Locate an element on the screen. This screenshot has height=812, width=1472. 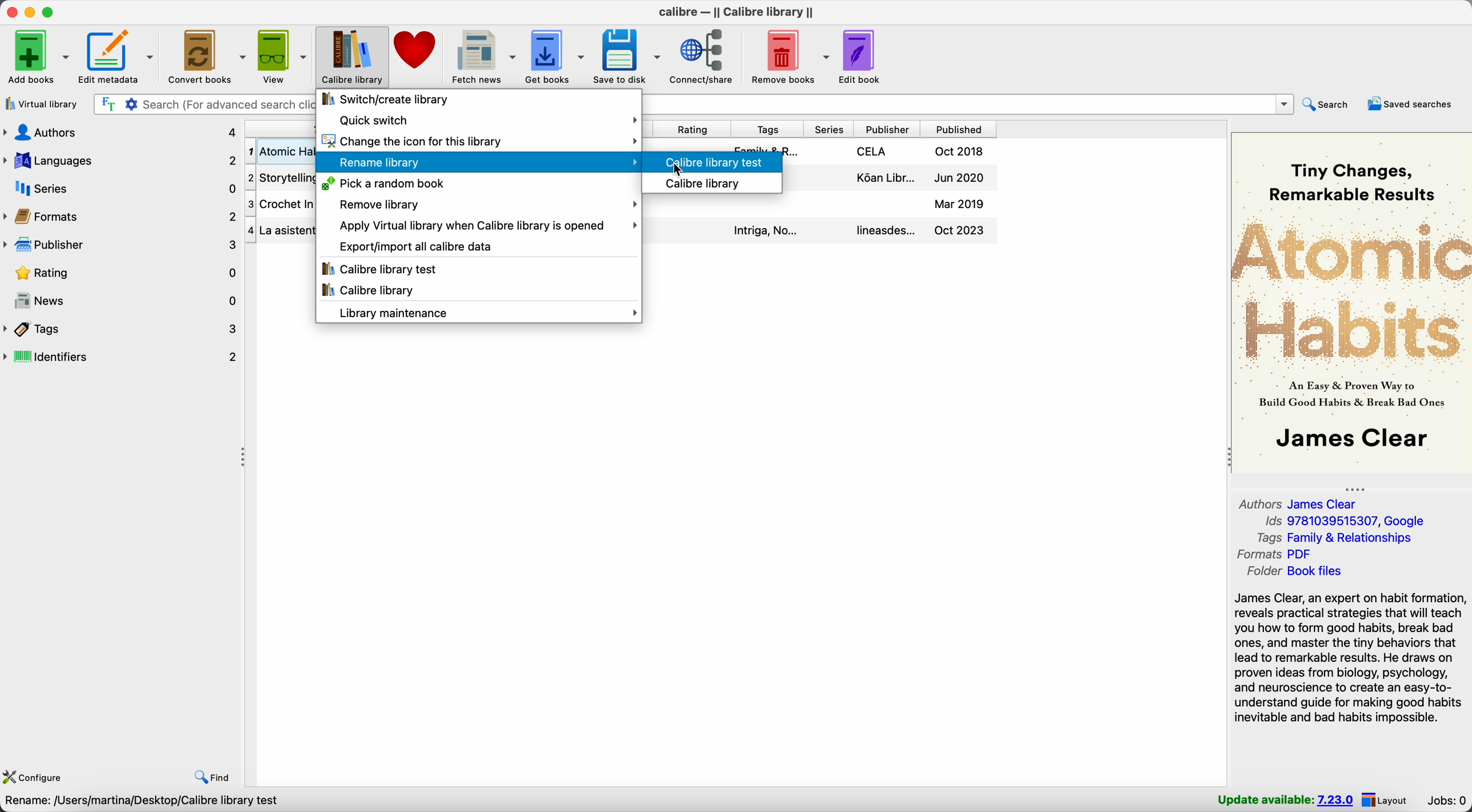
convert books is located at coordinates (207, 56).